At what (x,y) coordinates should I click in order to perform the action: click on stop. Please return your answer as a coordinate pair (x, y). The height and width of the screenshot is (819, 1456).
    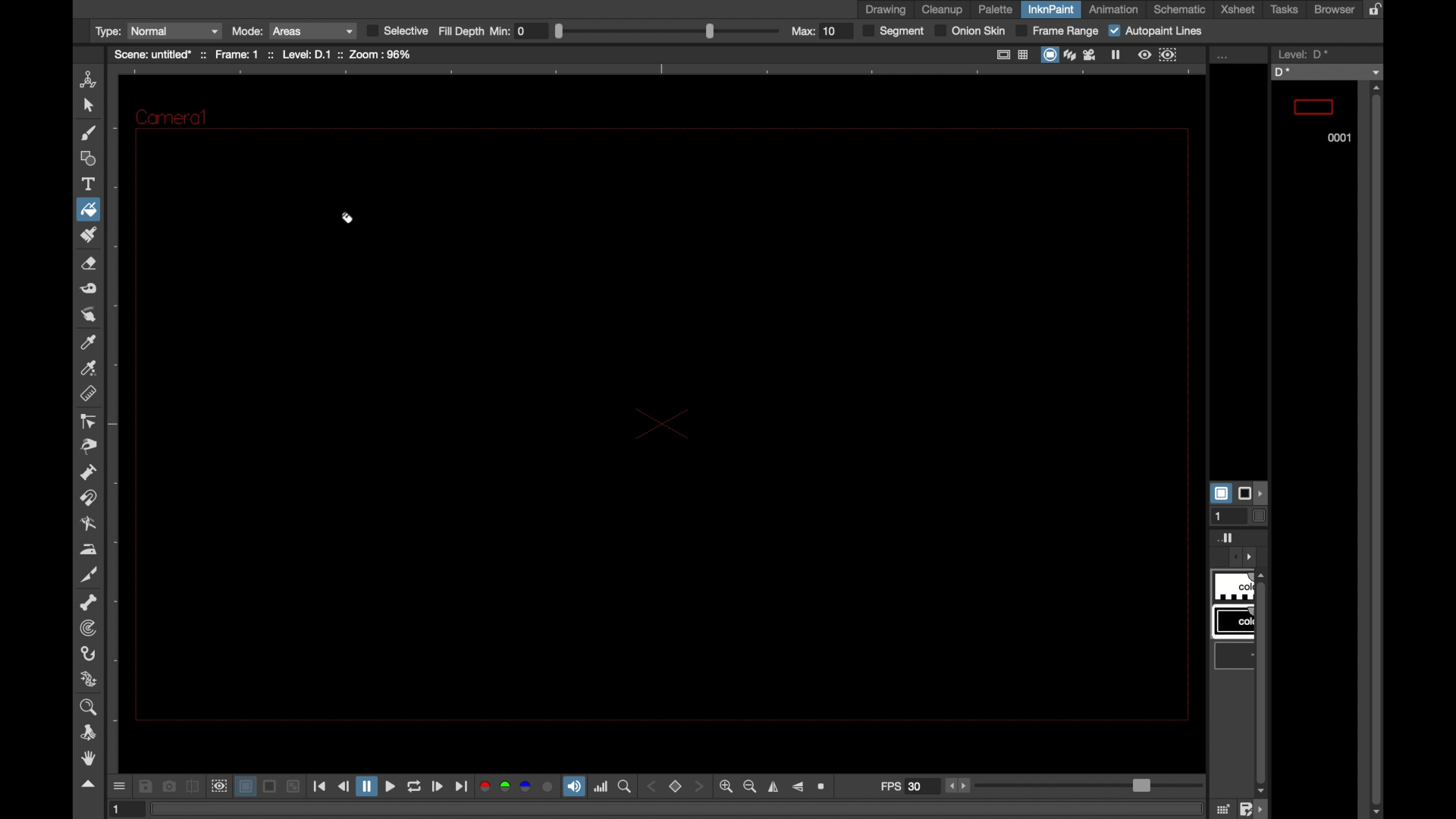
    Looking at the image, I should click on (678, 786).